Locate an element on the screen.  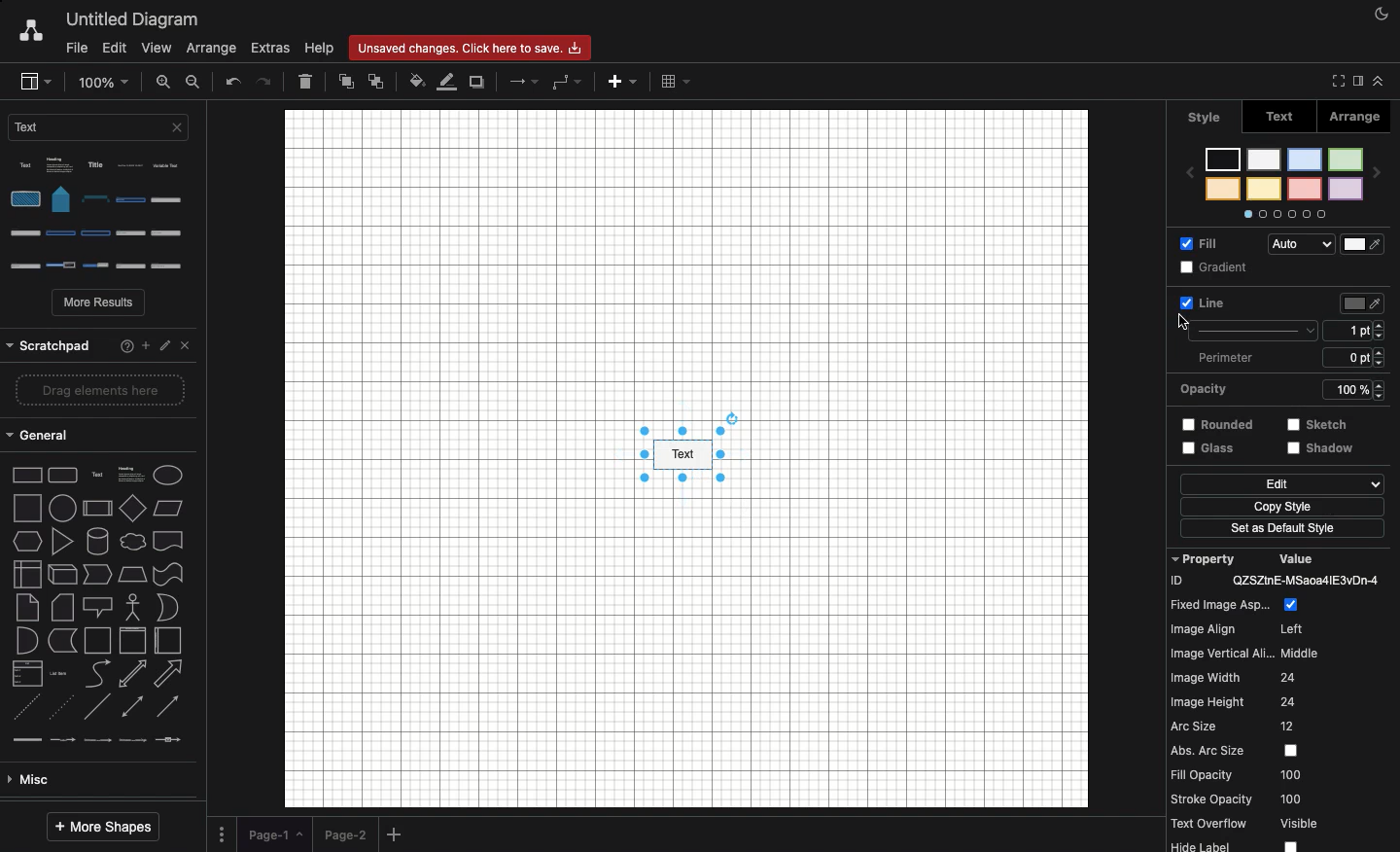
cursor is located at coordinates (1182, 326).